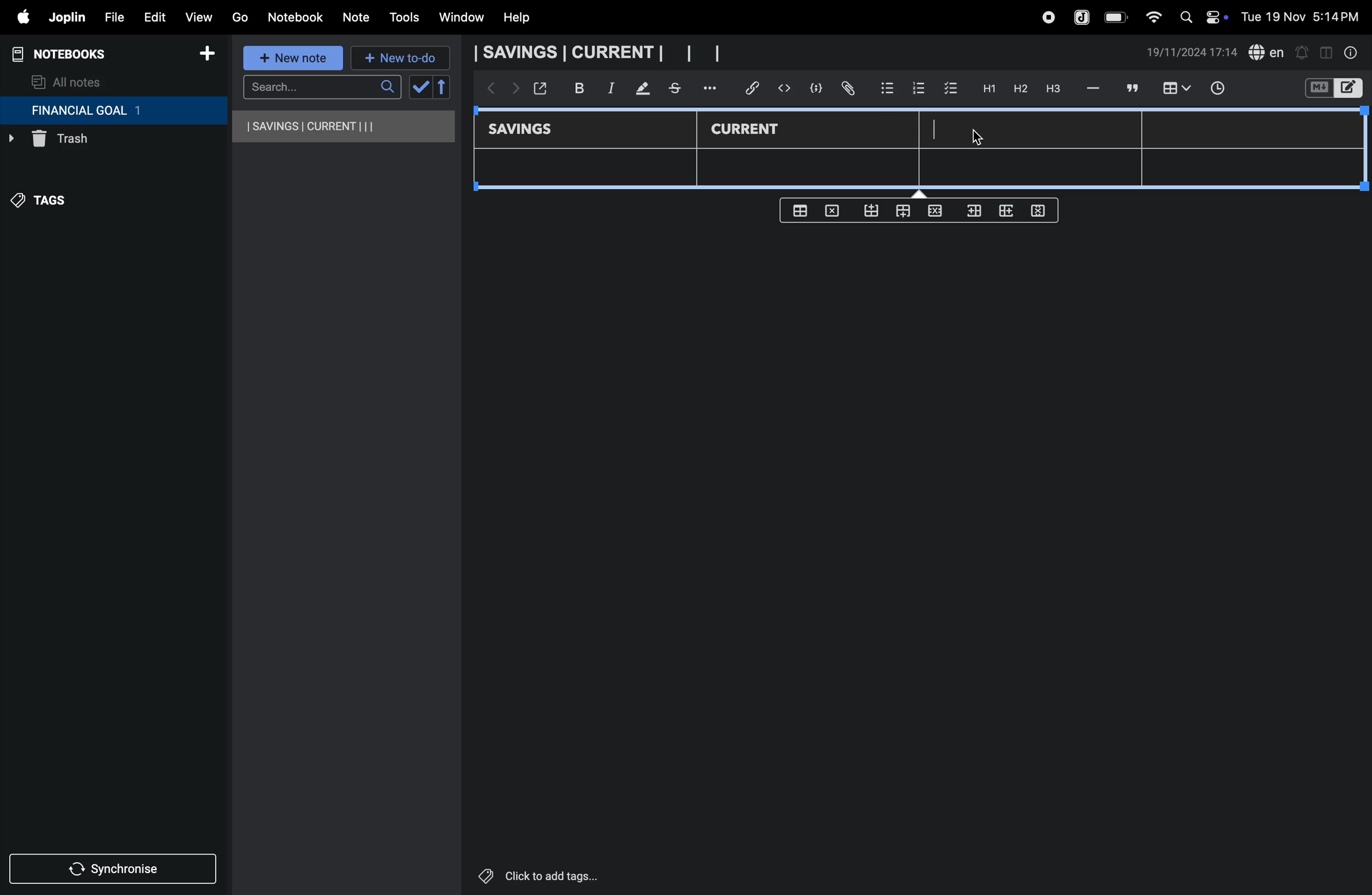 Image resolution: width=1372 pixels, height=895 pixels. What do you see at coordinates (712, 88) in the screenshot?
I see `options` at bounding box center [712, 88].